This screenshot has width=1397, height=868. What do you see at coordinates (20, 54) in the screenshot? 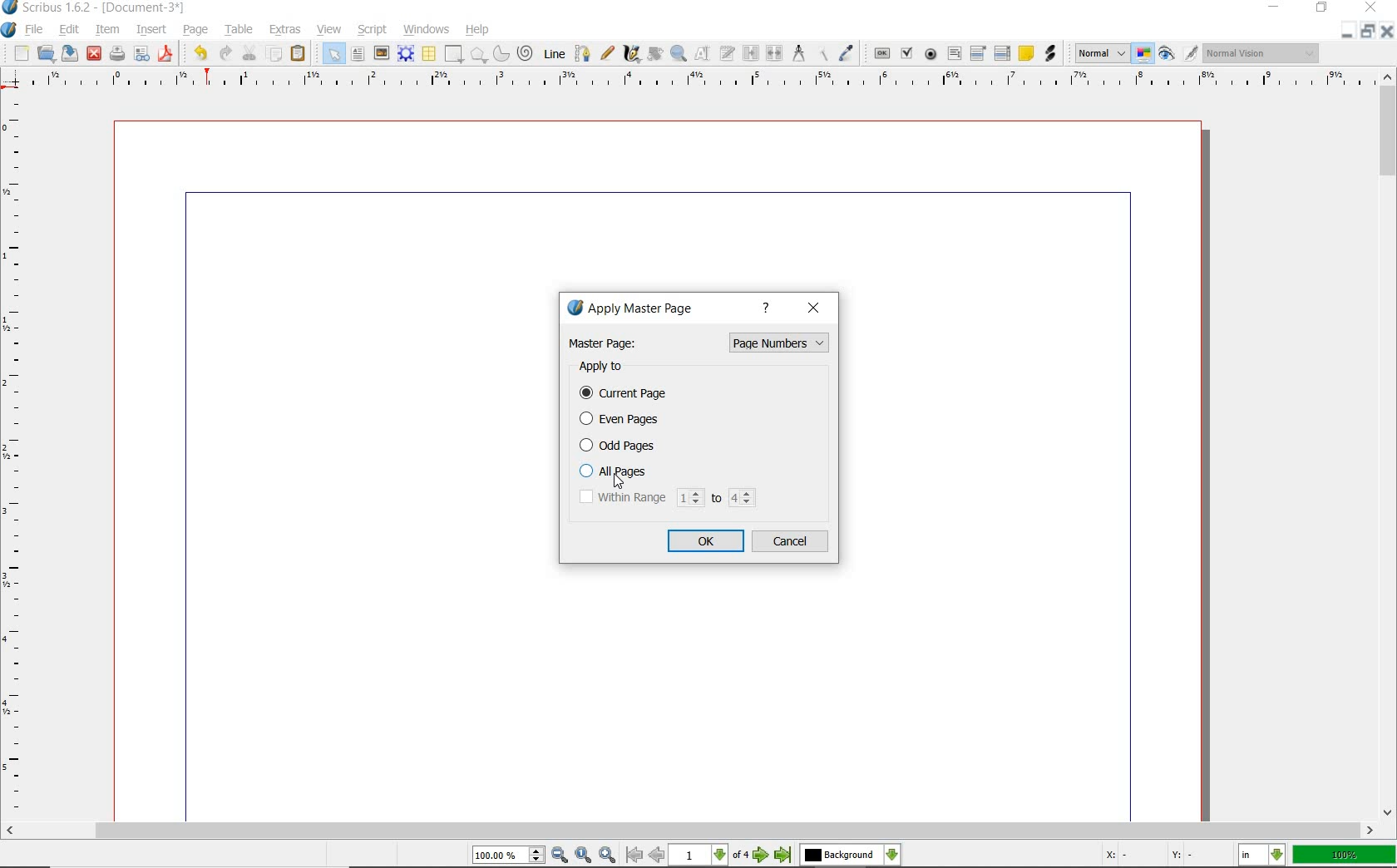
I see `new` at bounding box center [20, 54].